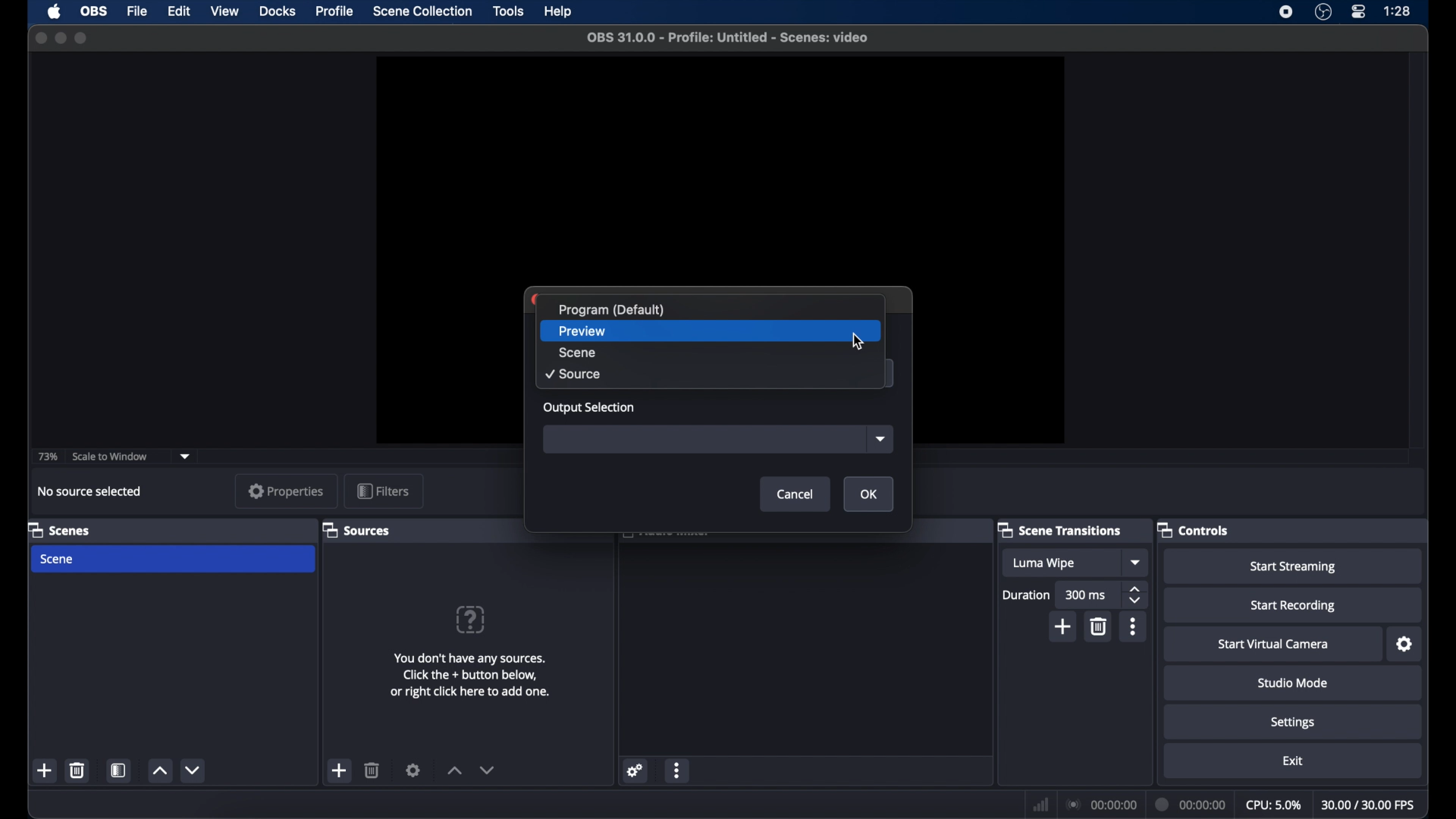  Describe the element at coordinates (45, 771) in the screenshot. I see `add` at that location.